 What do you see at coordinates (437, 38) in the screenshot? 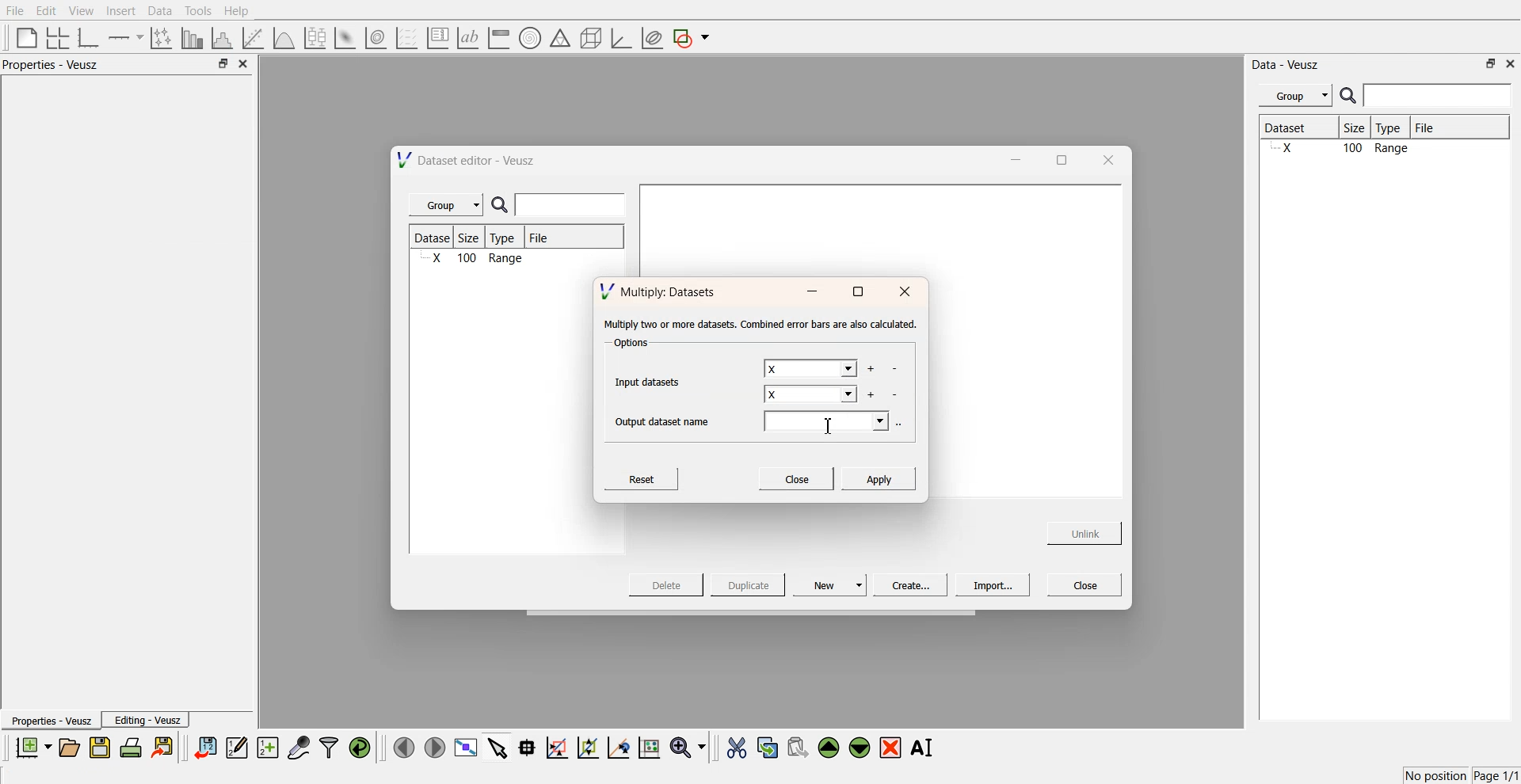
I see `plot key` at bounding box center [437, 38].